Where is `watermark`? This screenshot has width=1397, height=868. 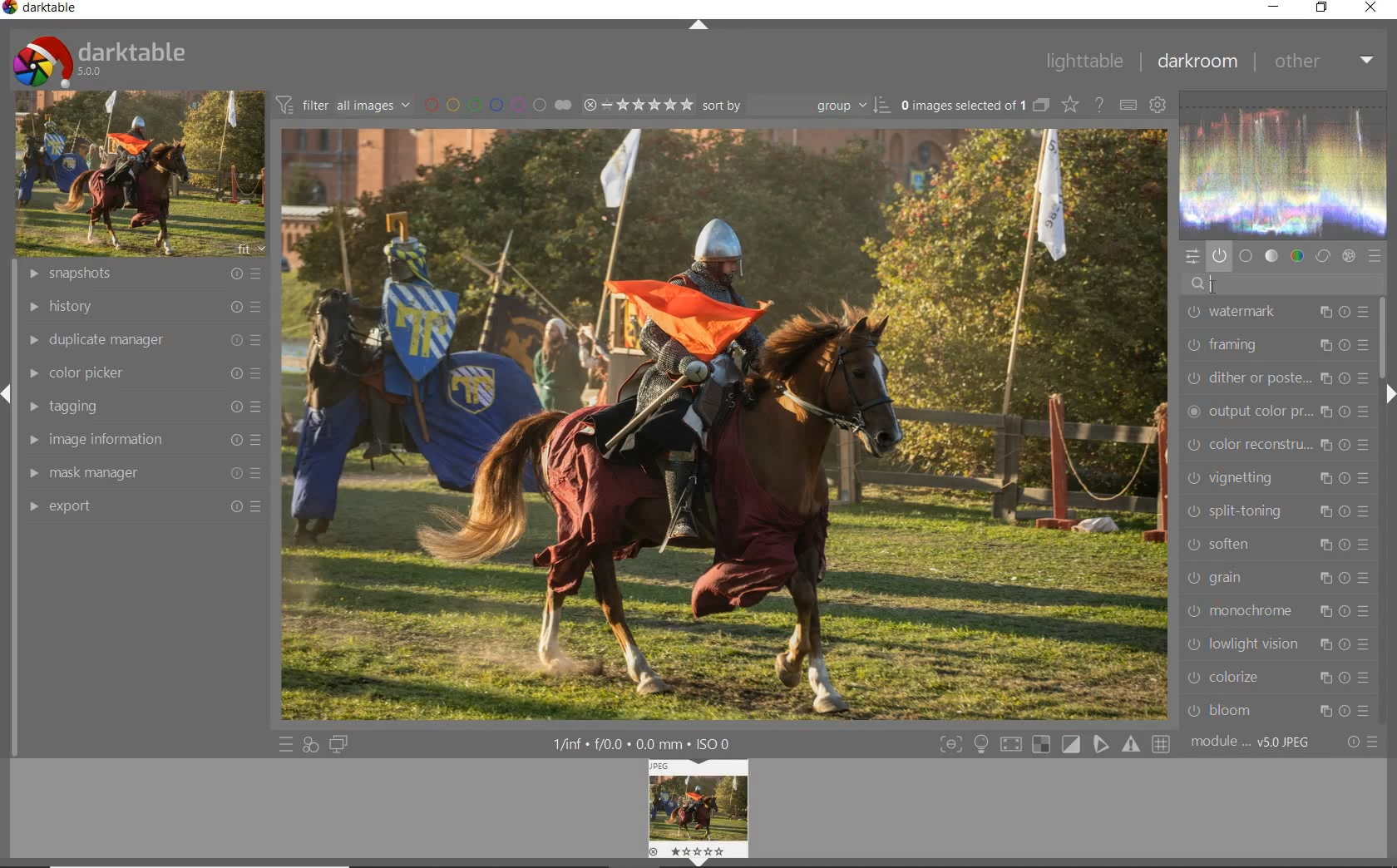 watermark is located at coordinates (1276, 313).